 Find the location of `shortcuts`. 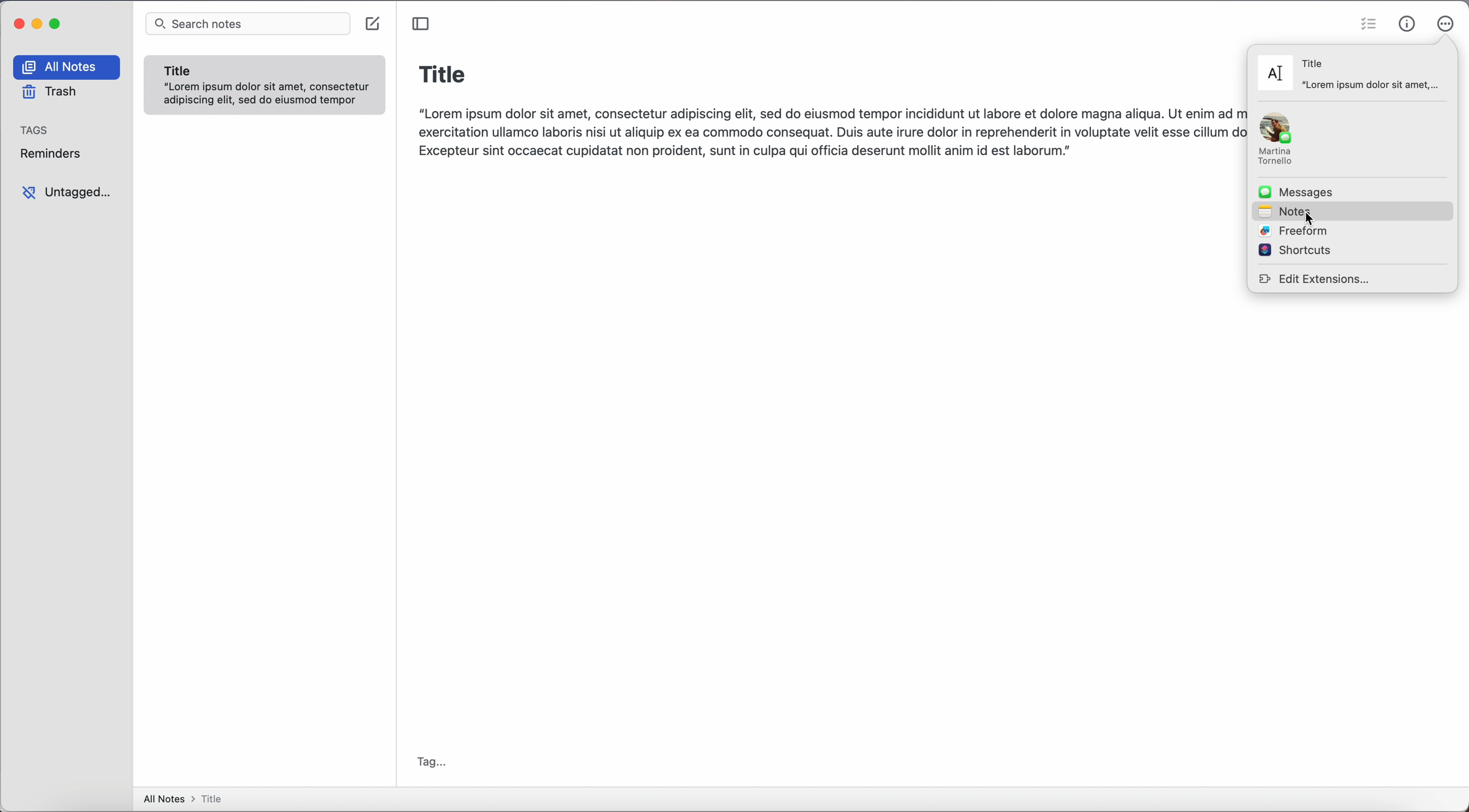

shortcuts is located at coordinates (1294, 250).